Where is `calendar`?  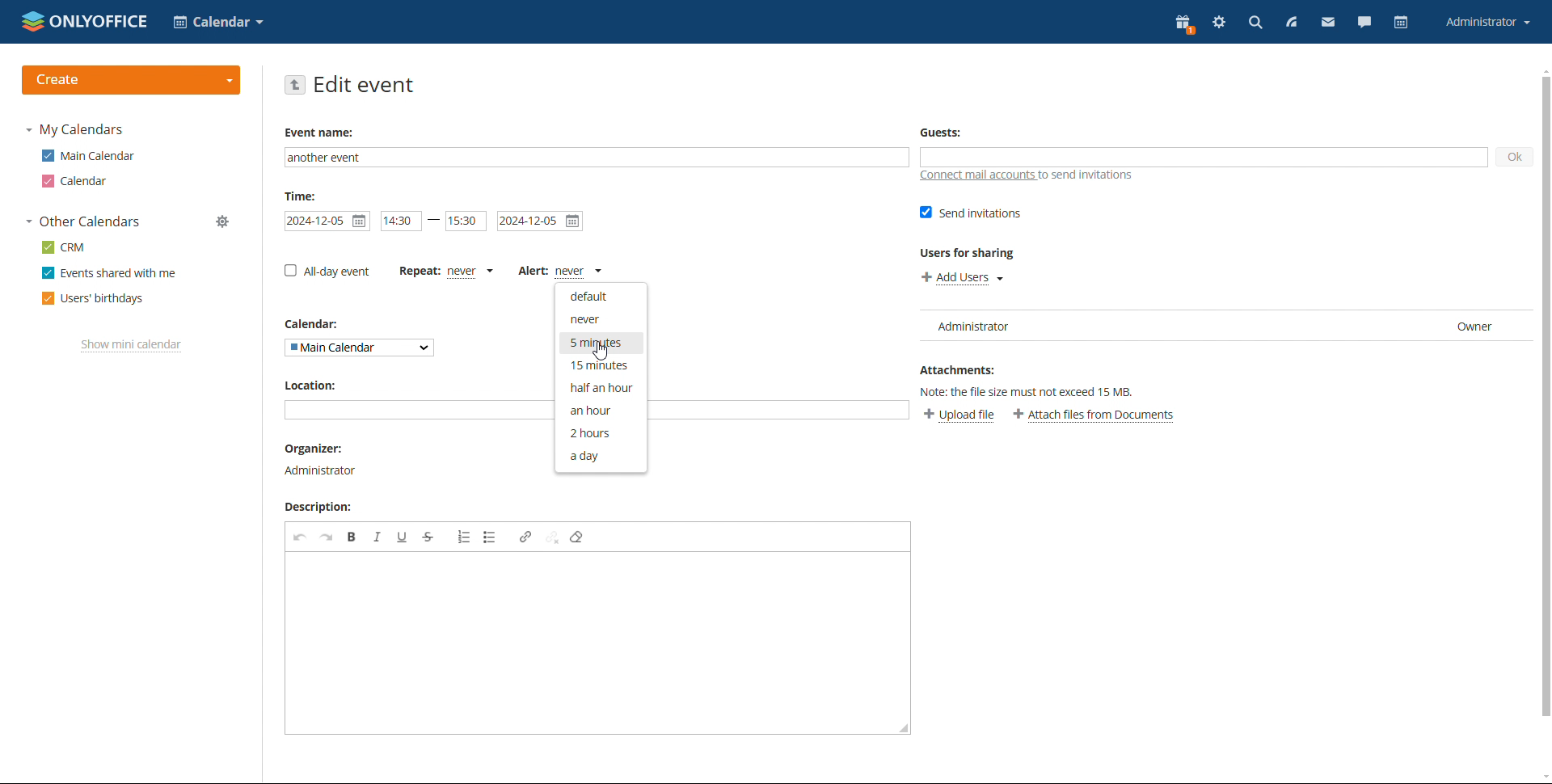
calendar is located at coordinates (77, 181).